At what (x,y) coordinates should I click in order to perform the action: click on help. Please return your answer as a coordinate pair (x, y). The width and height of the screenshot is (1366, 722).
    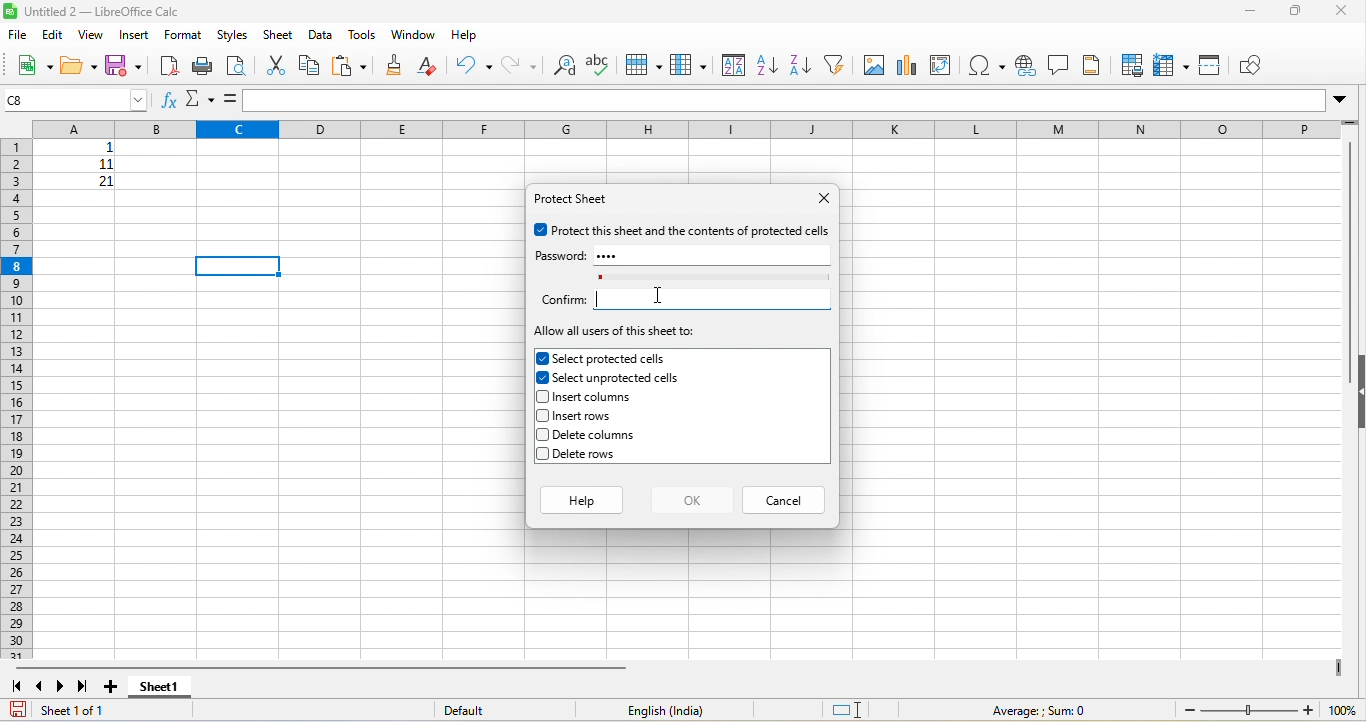
    Looking at the image, I should click on (583, 500).